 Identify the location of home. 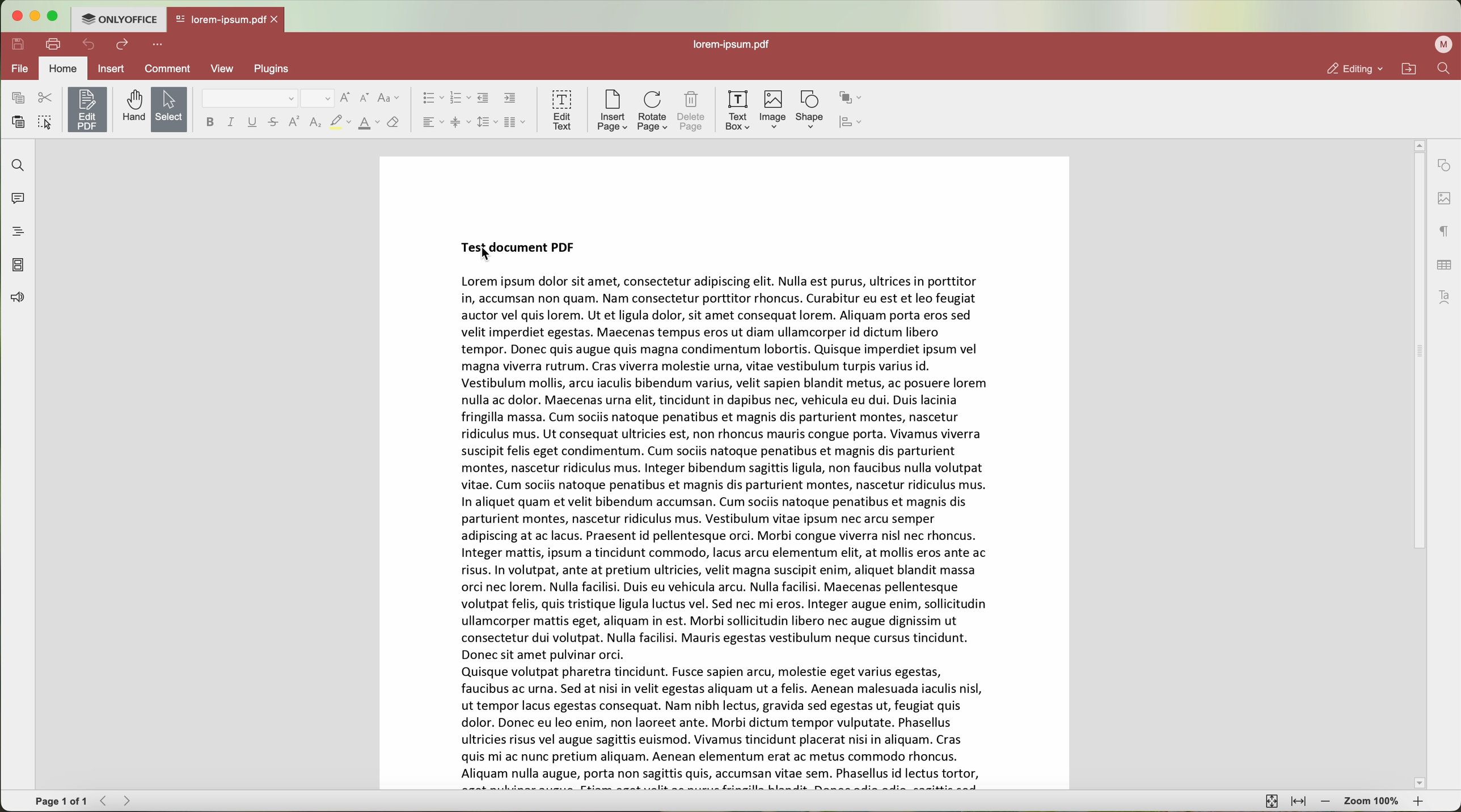
(65, 68).